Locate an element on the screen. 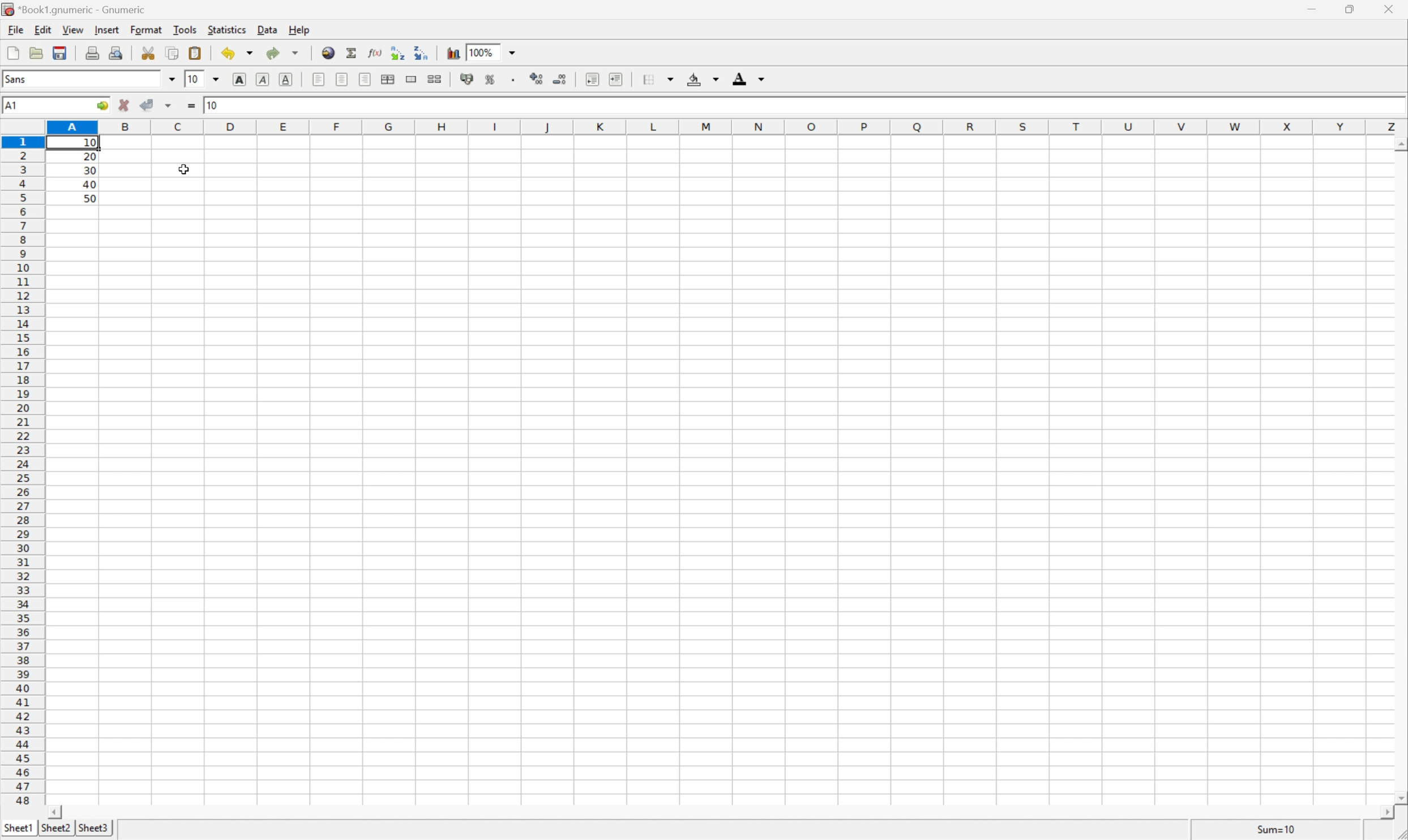 This screenshot has height=840, width=1408. Italic is located at coordinates (264, 79).